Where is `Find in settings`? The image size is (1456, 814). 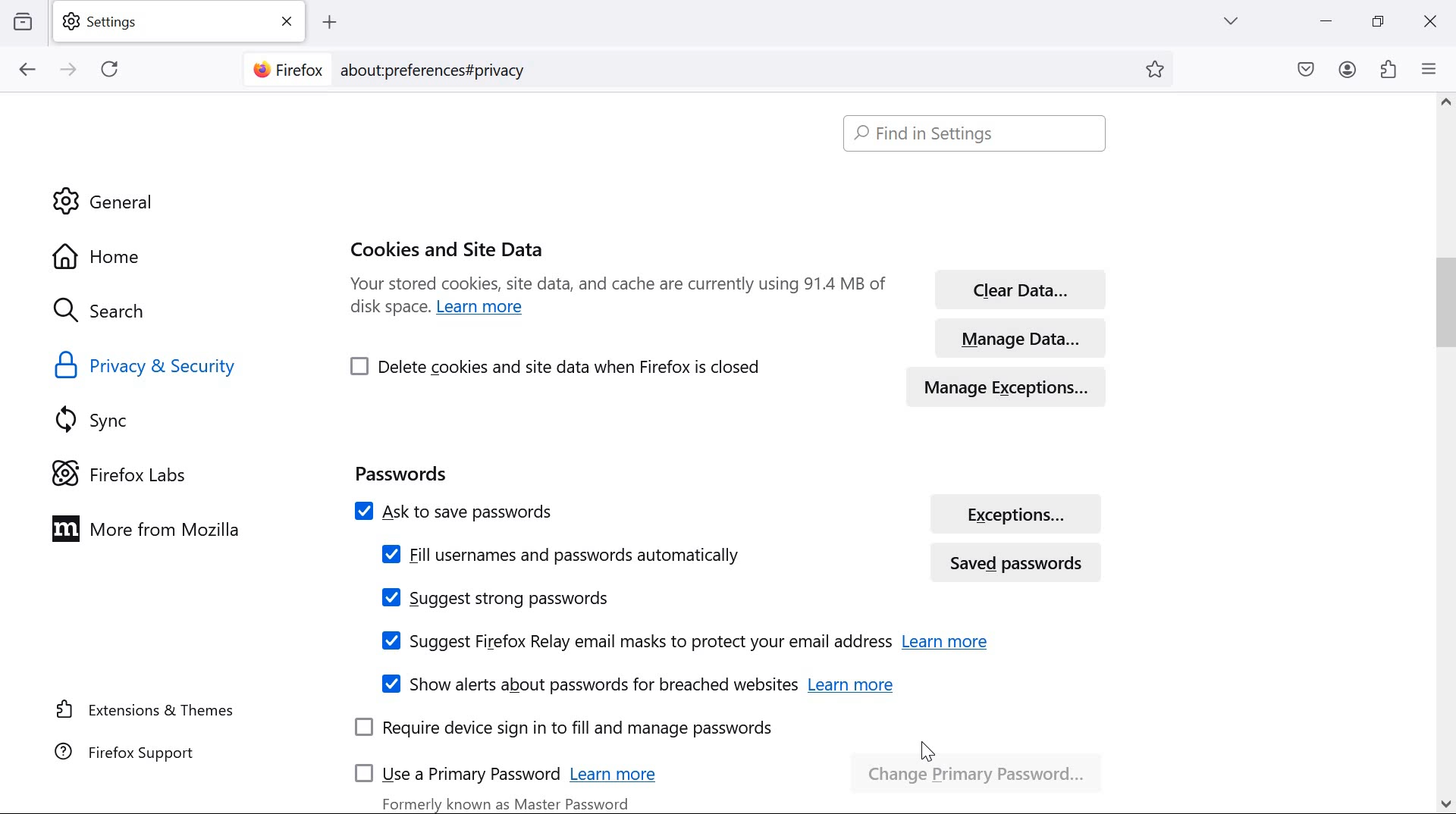 Find in settings is located at coordinates (978, 133).